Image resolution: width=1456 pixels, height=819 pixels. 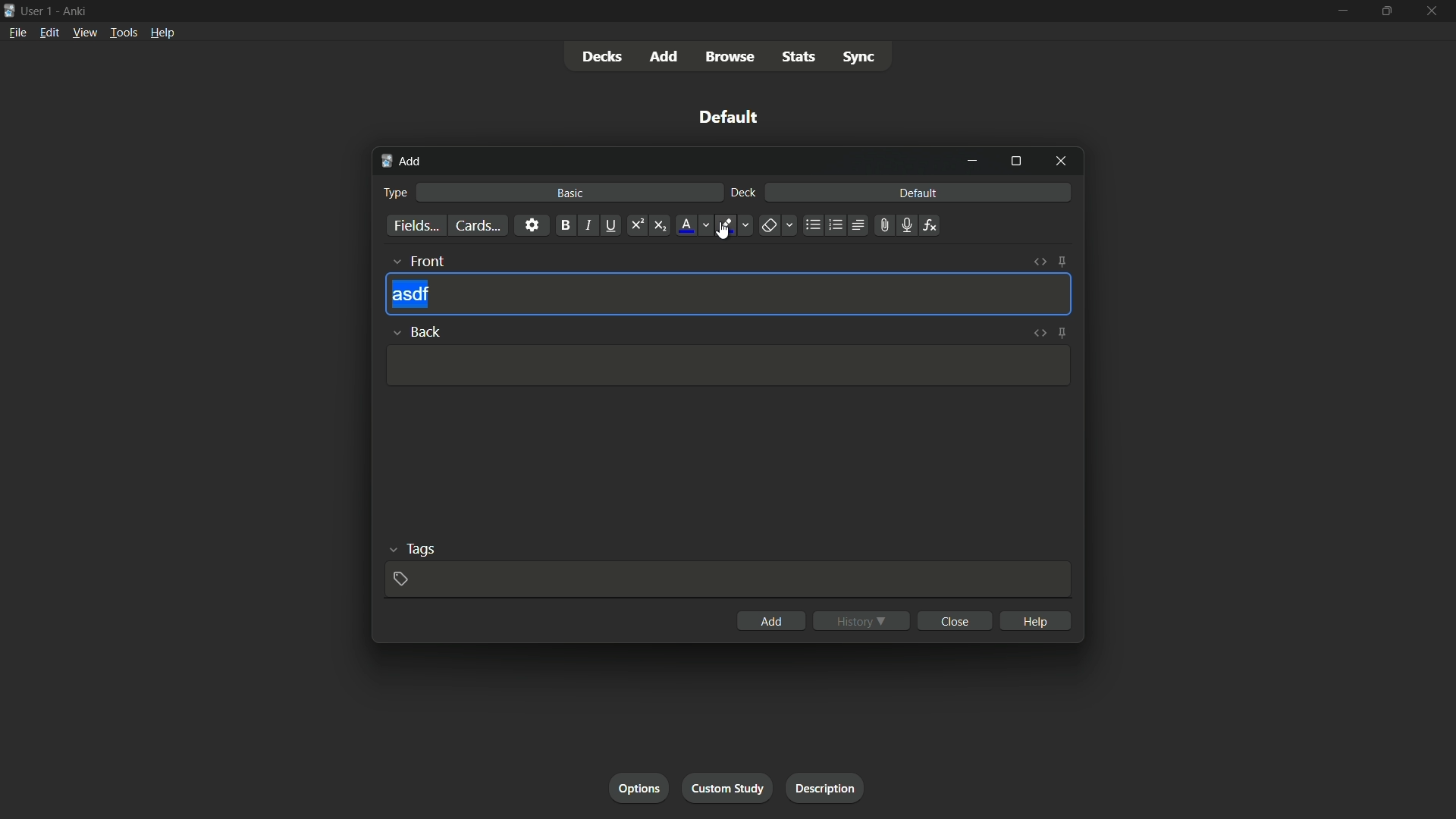 I want to click on italic, so click(x=587, y=224).